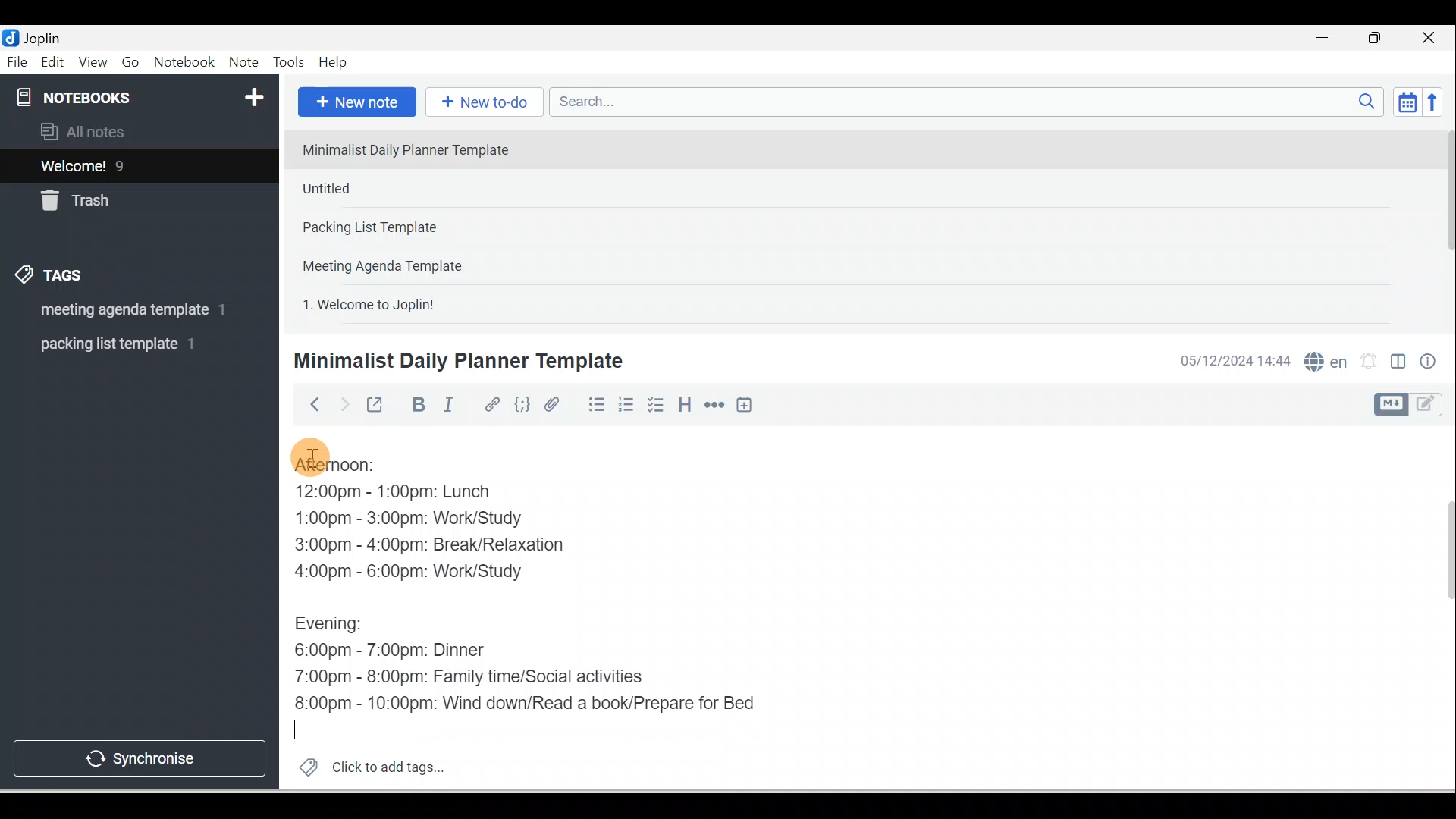  What do you see at coordinates (462, 547) in the screenshot?
I see `3:00pm - 4:00pm: Break/Relaxation` at bounding box center [462, 547].